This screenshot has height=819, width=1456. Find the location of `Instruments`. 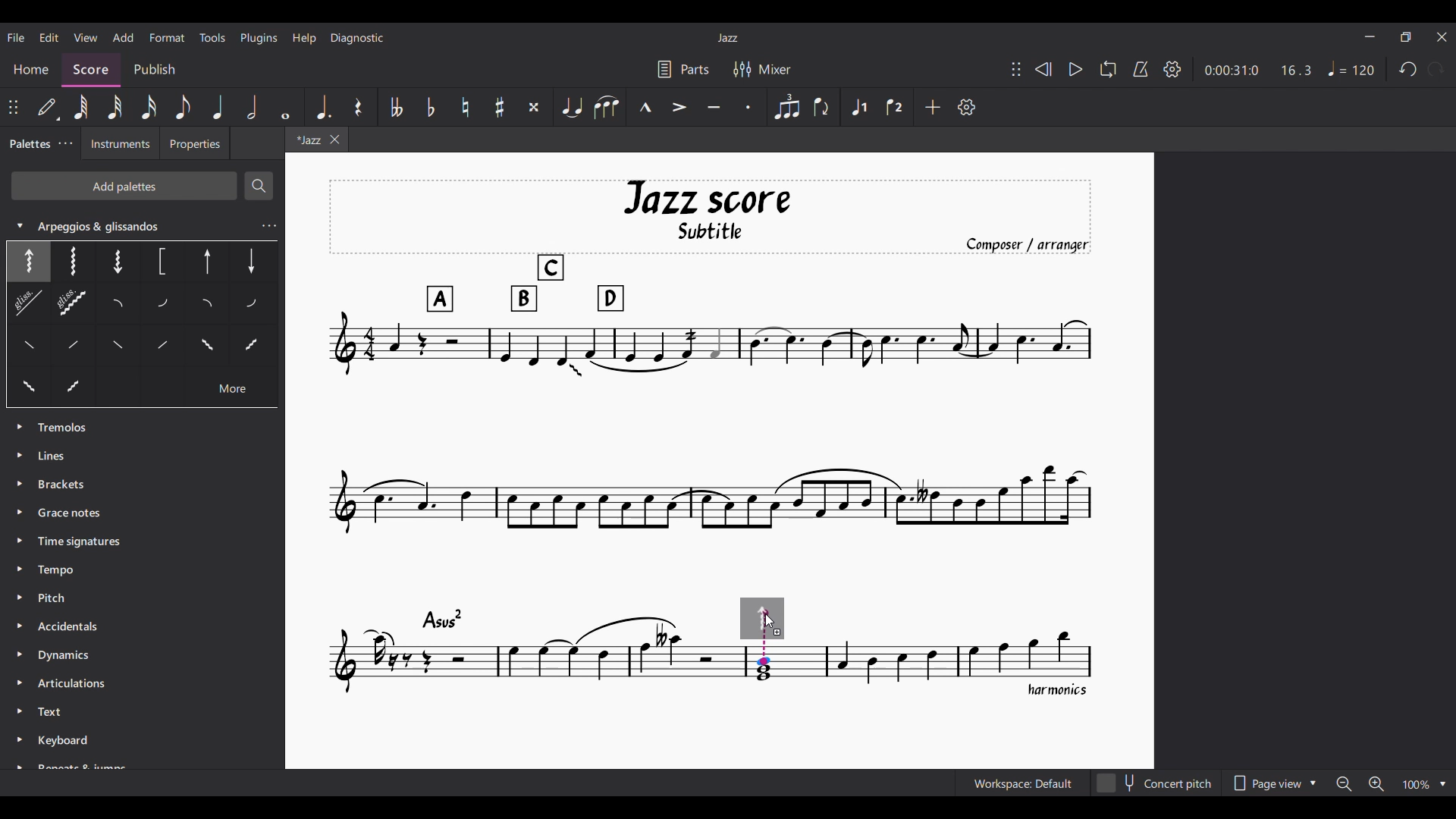

Instruments is located at coordinates (115, 145).